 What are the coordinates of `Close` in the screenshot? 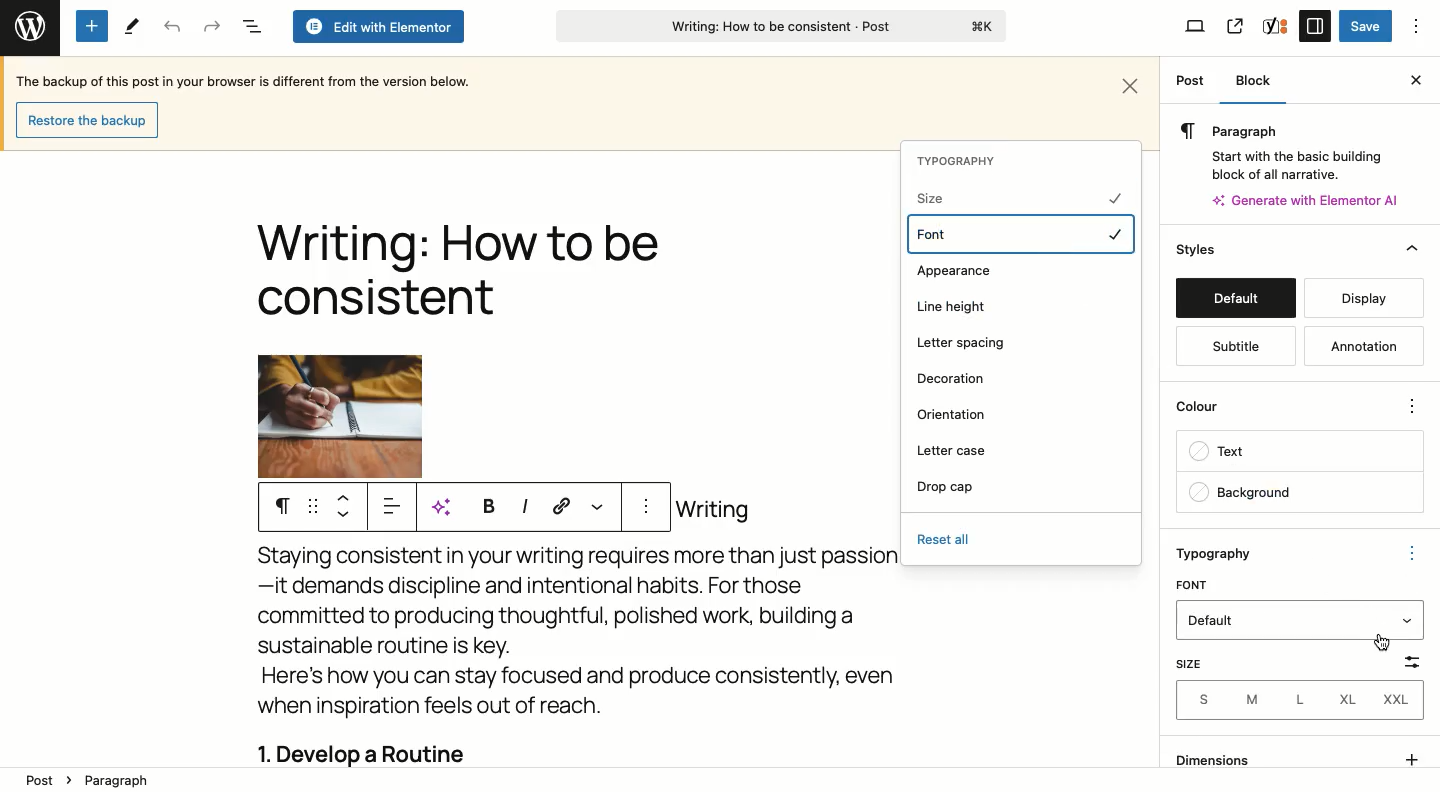 It's located at (1412, 80).